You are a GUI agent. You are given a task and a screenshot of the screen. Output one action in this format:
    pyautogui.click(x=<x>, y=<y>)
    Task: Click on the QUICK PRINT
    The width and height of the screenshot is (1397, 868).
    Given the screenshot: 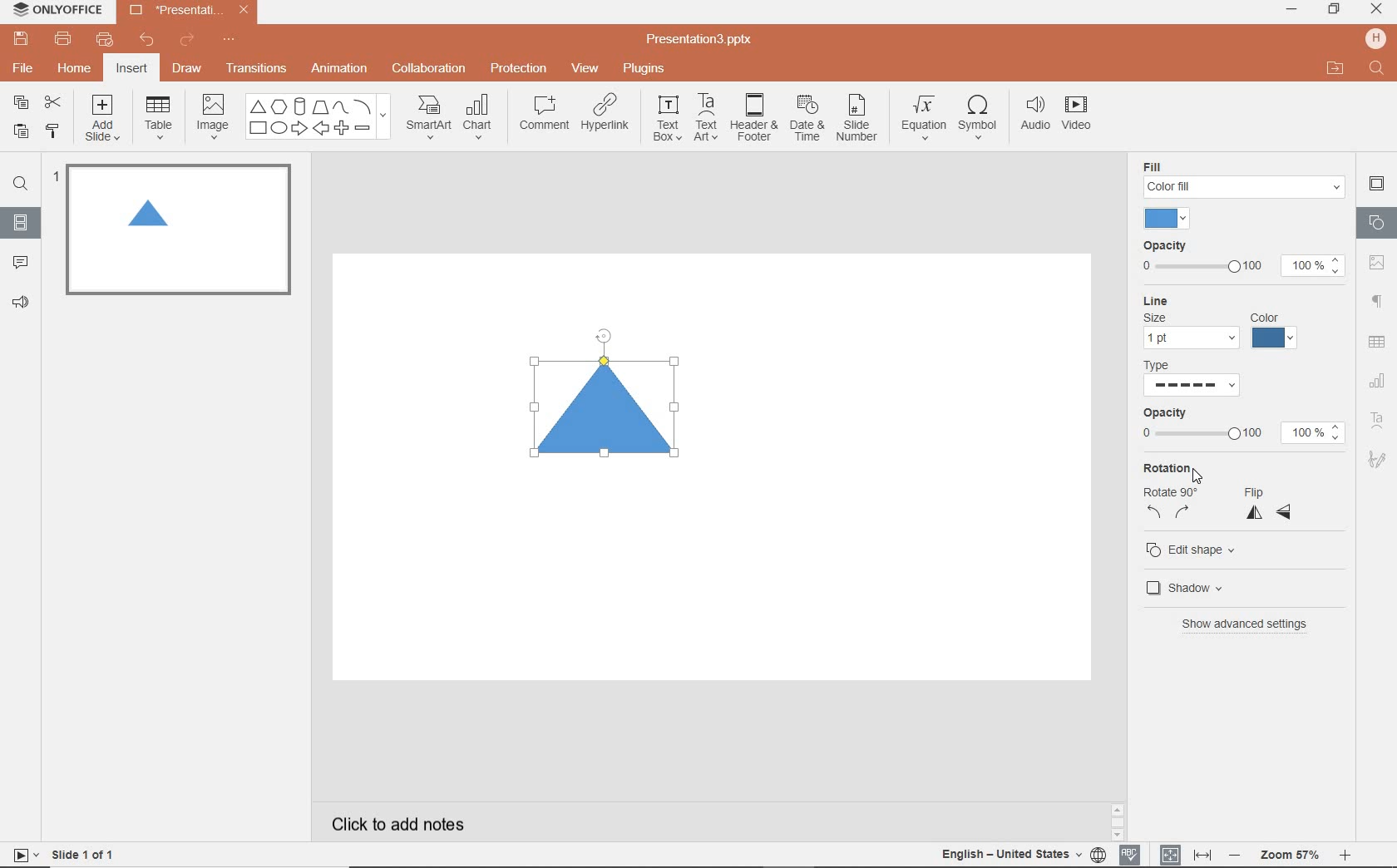 What is the action you would take?
    pyautogui.click(x=104, y=41)
    